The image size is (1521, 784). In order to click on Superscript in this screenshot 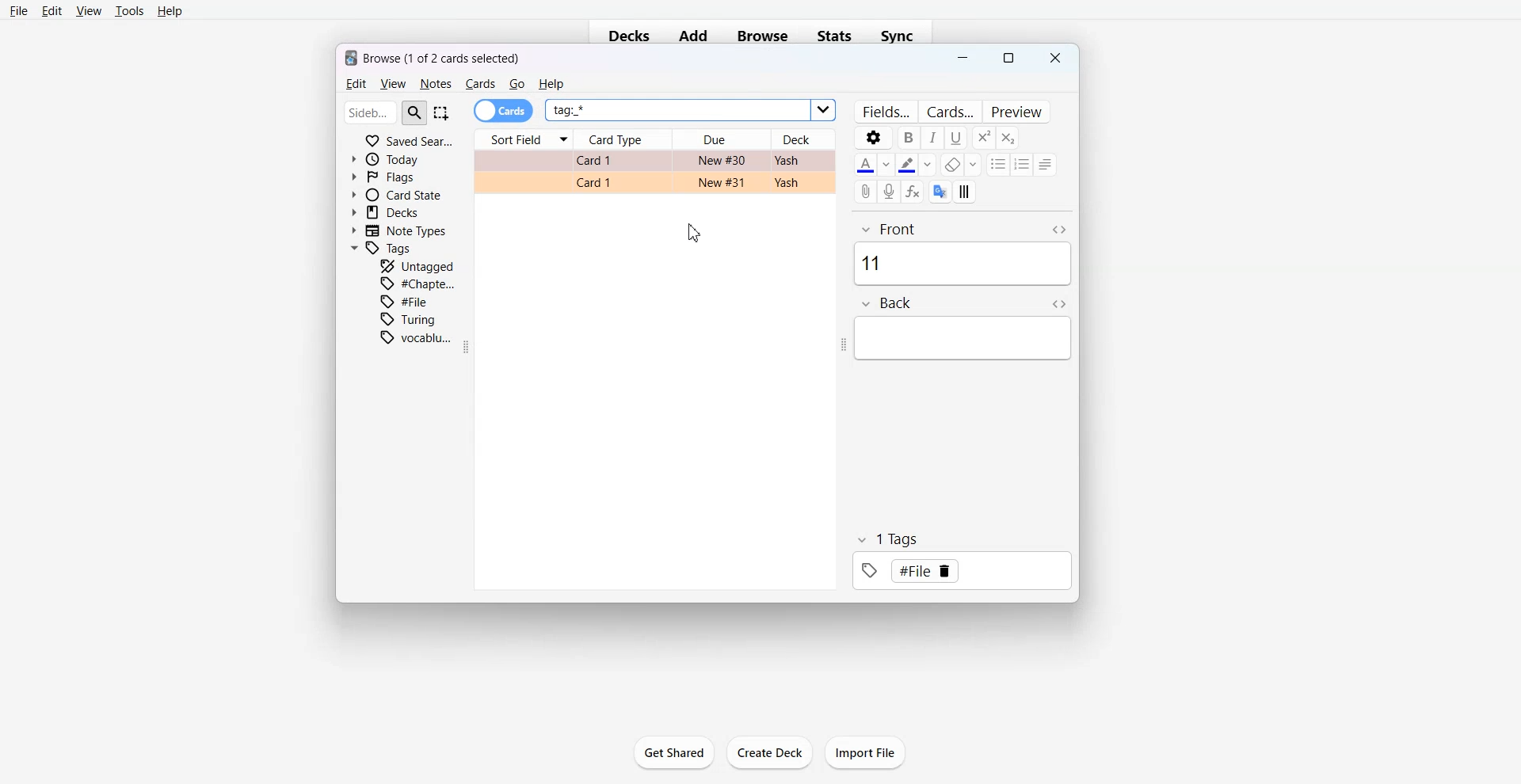, I will do `click(1008, 138)`.